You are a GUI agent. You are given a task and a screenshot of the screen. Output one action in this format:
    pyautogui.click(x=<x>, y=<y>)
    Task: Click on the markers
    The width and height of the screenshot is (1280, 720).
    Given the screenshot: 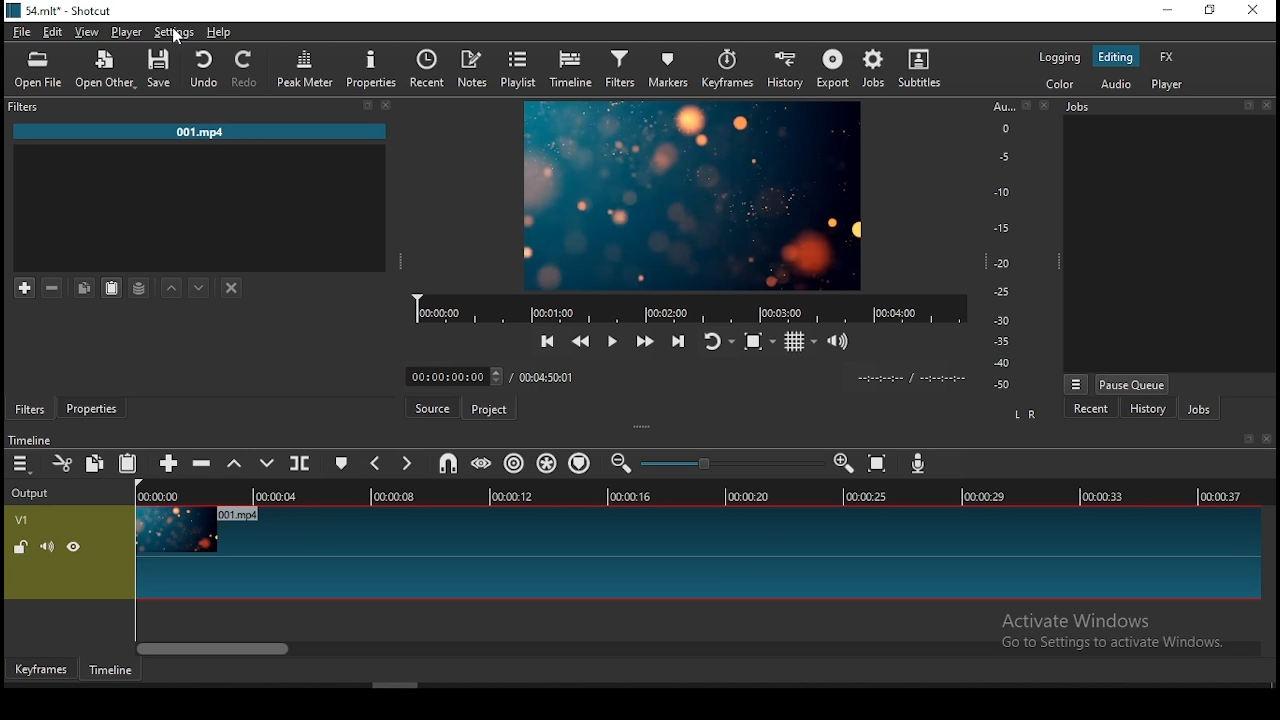 What is the action you would take?
    pyautogui.click(x=668, y=68)
    